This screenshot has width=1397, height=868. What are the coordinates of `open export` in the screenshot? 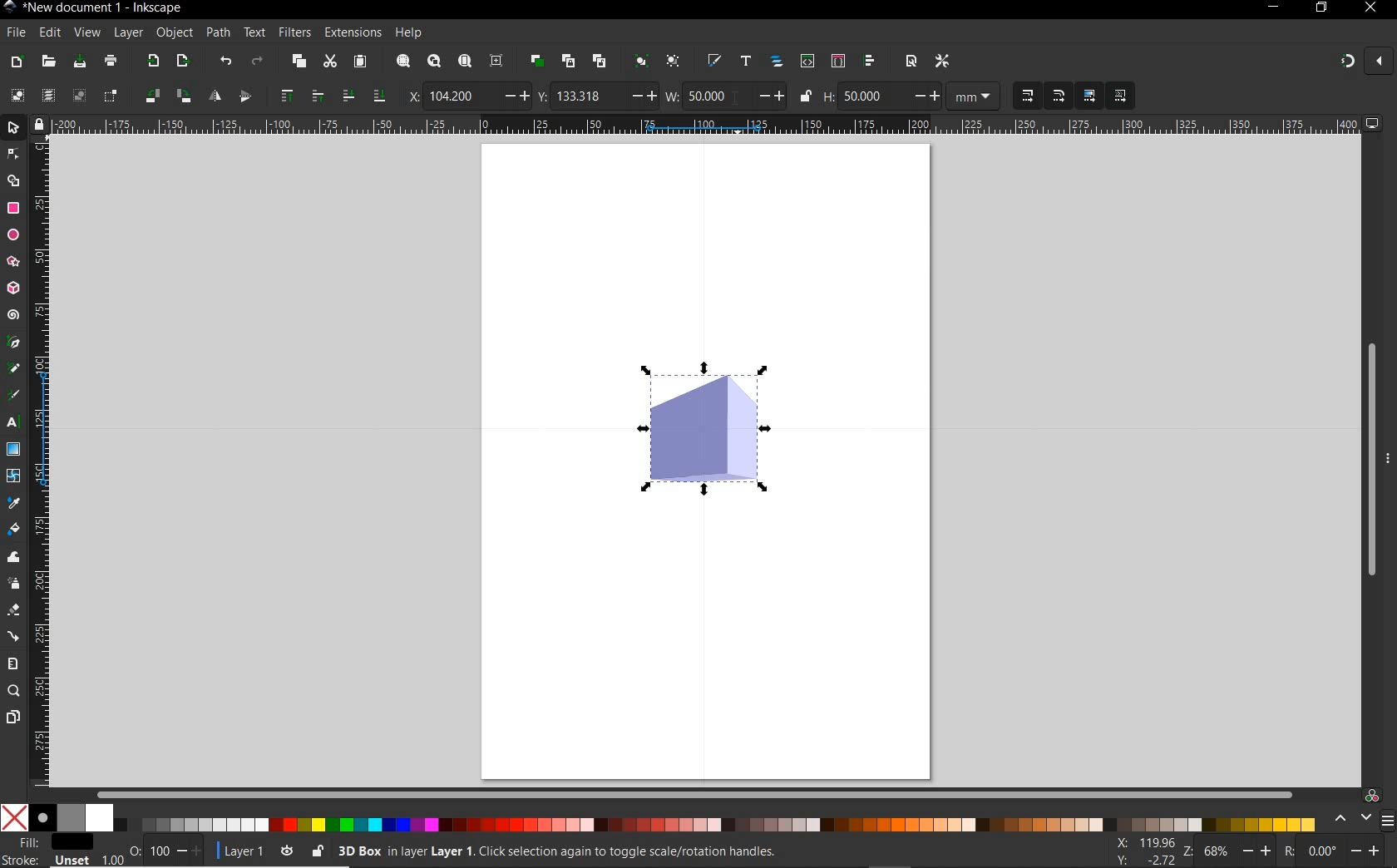 It's located at (182, 60).